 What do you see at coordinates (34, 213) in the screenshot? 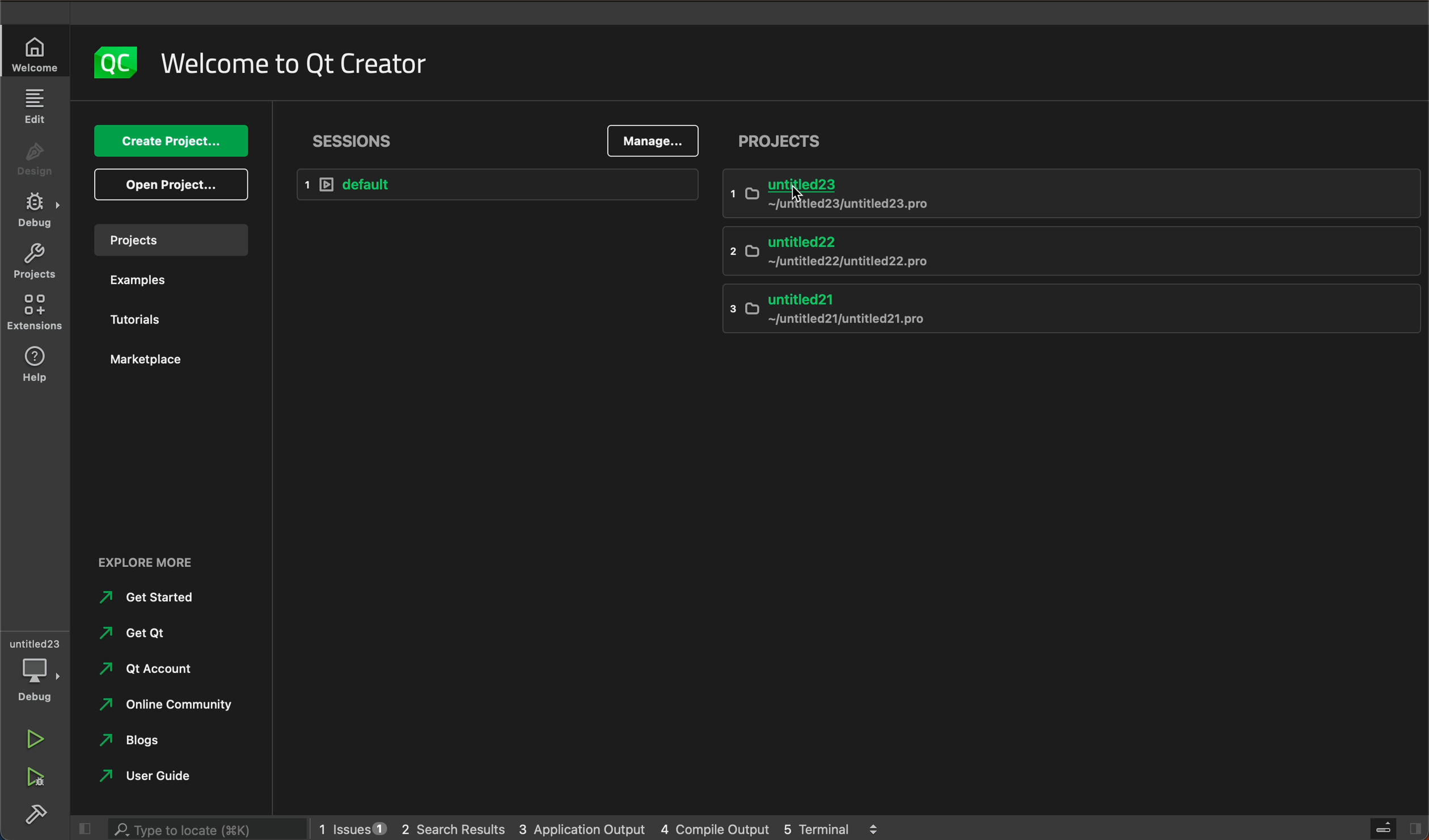
I see `debug` at bounding box center [34, 213].